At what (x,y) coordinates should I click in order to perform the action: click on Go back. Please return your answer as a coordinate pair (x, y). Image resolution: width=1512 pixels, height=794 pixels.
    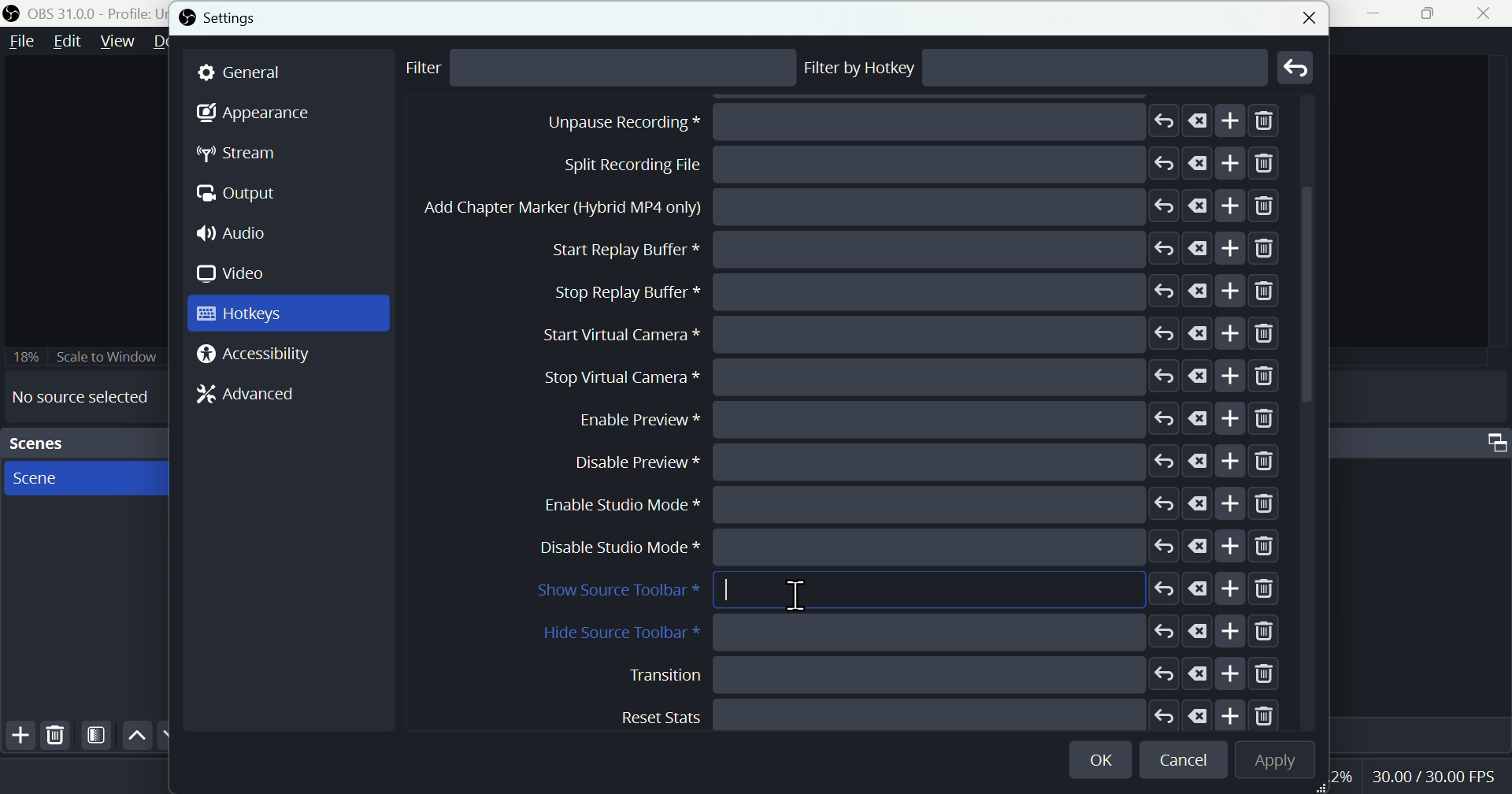
    Looking at the image, I should click on (1297, 67).